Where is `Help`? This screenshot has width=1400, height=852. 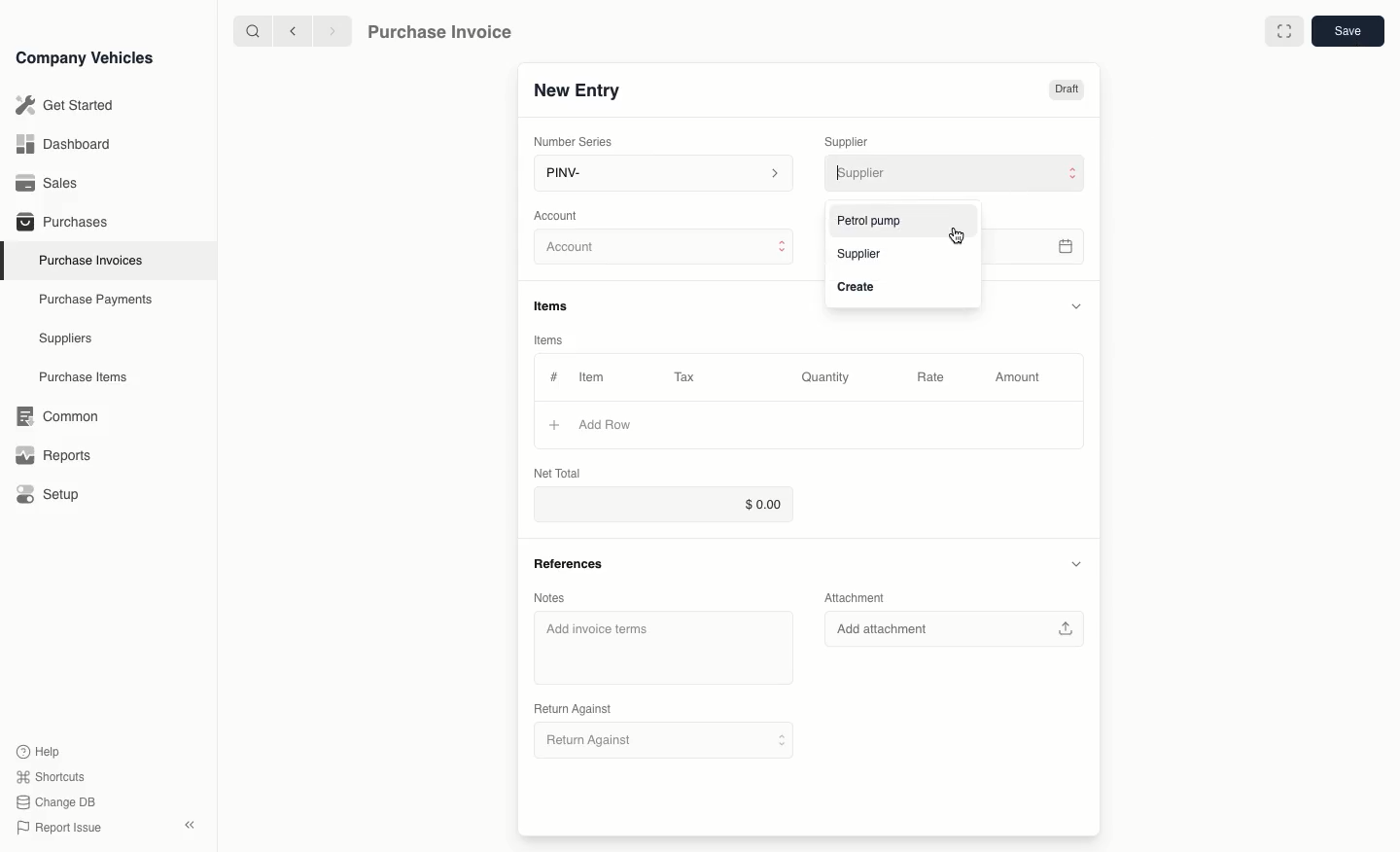 Help is located at coordinates (43, 751).